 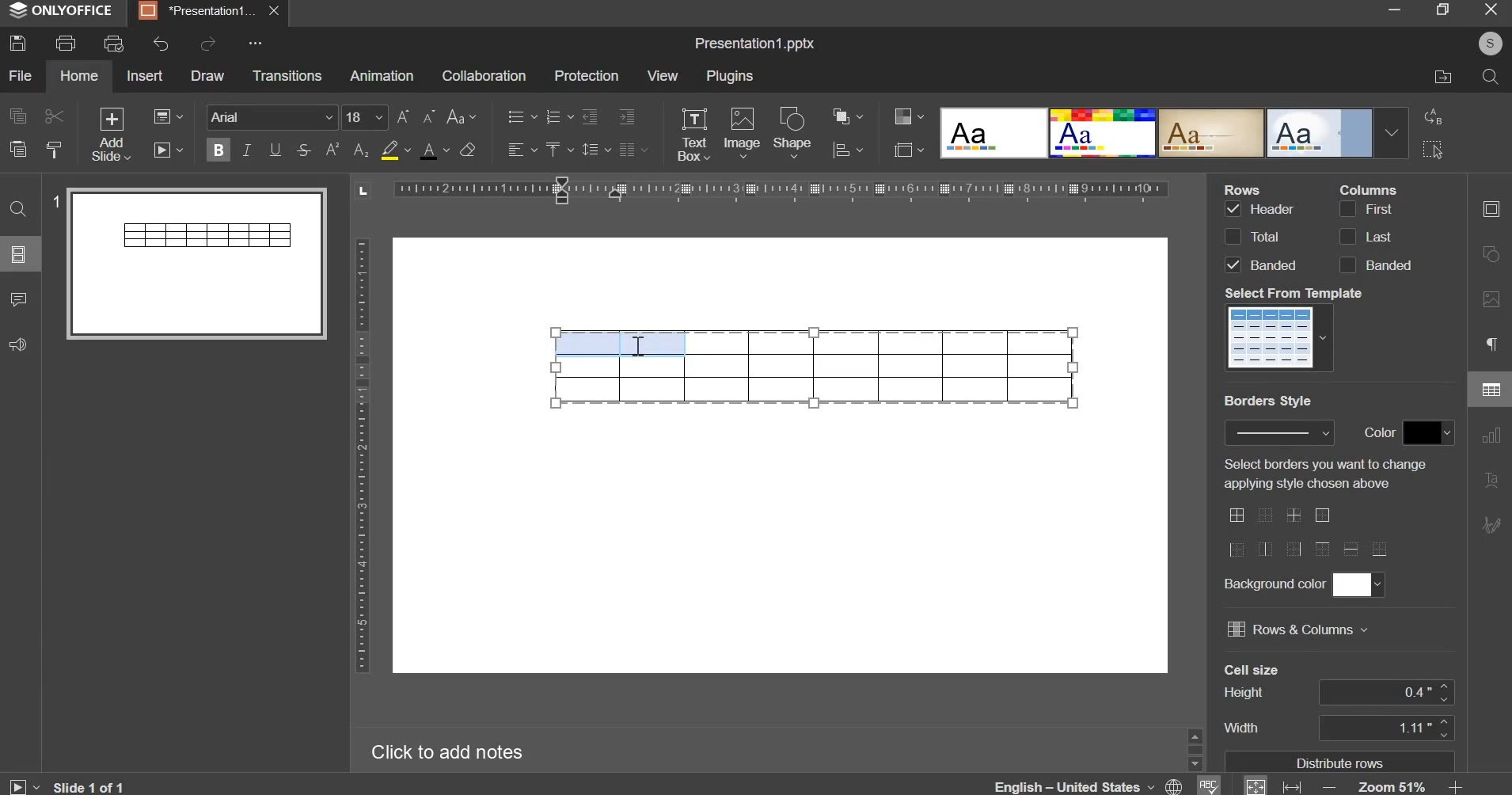 What do you see at coordinates (906, 116) in the screenshot?
I see `design color` at bounding box center [906, 116].